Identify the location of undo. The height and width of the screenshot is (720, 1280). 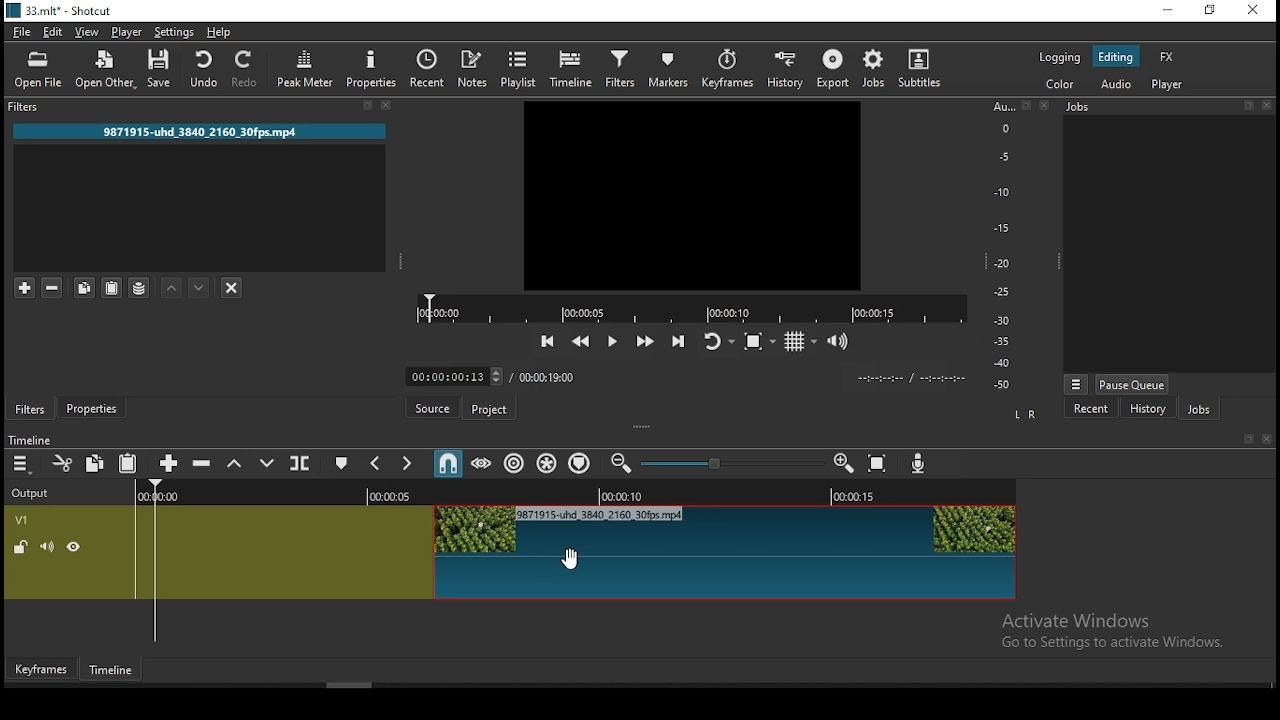
(204, 70).